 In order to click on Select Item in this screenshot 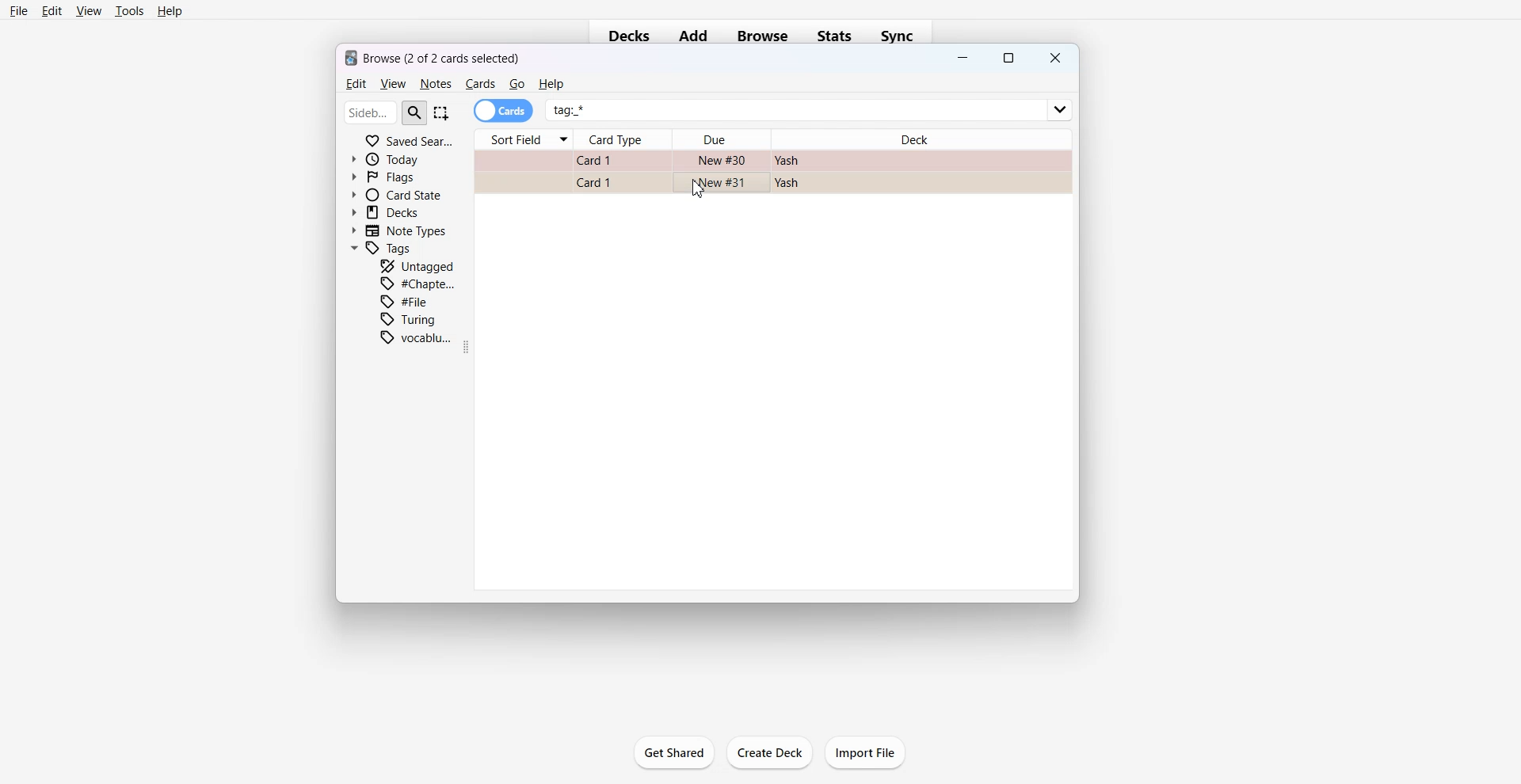, I will do `click(443, 112)`.